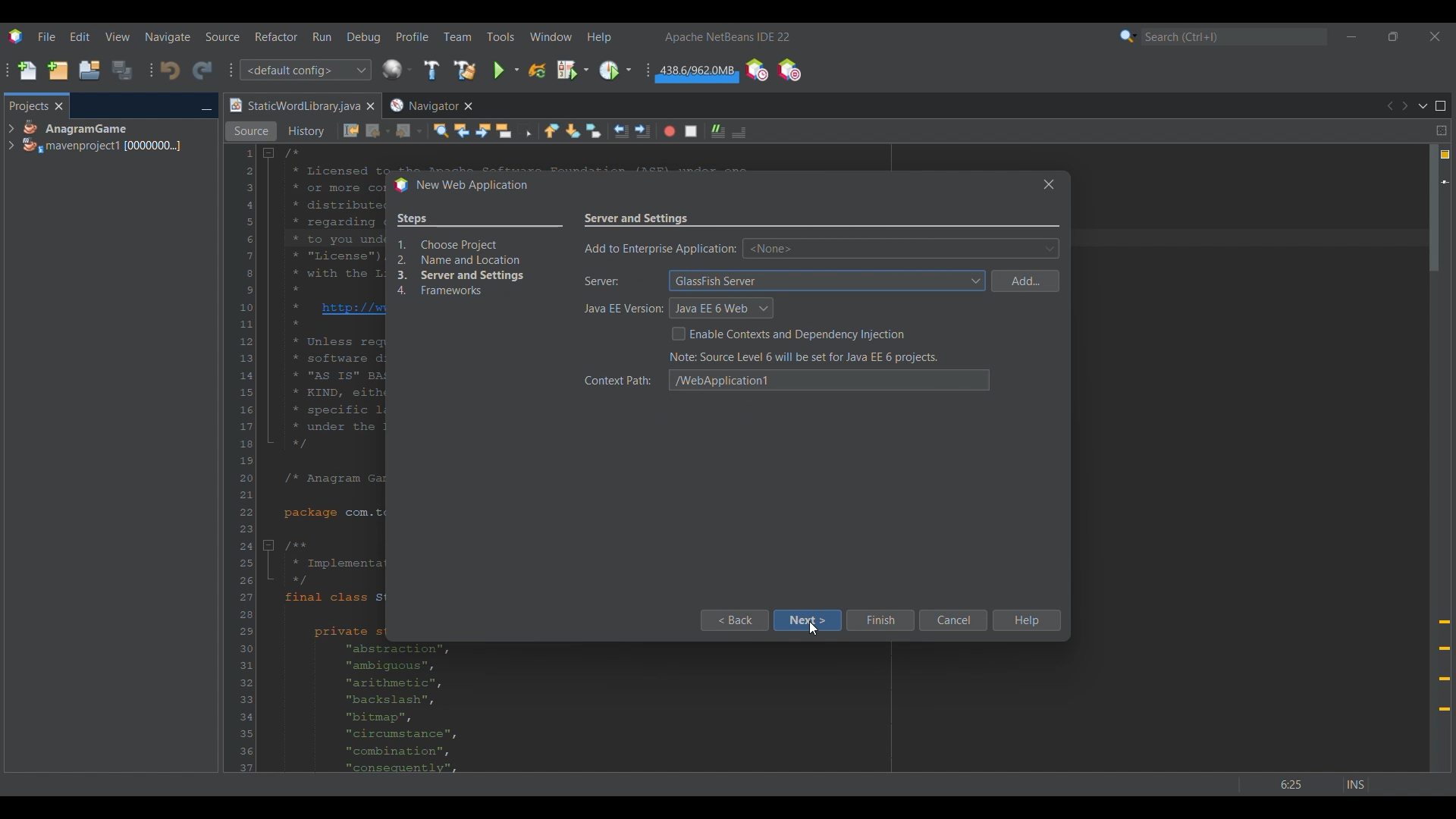 The width and height of the screenshot is (1456, 819). Describe the element at coordinates (621, 378) in the screenshot. I see `Indicates libraries folder textbox` at that location.